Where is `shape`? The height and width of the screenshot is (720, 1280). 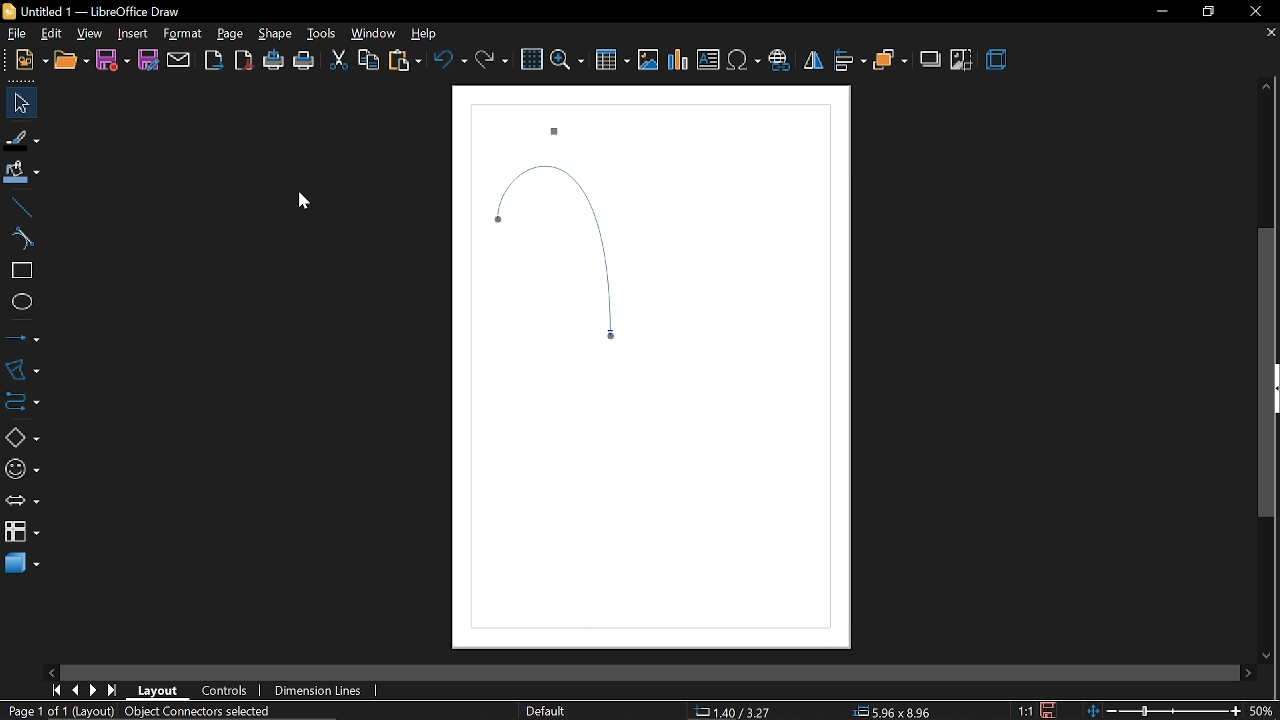
shape is located at coordinates (272, 33).